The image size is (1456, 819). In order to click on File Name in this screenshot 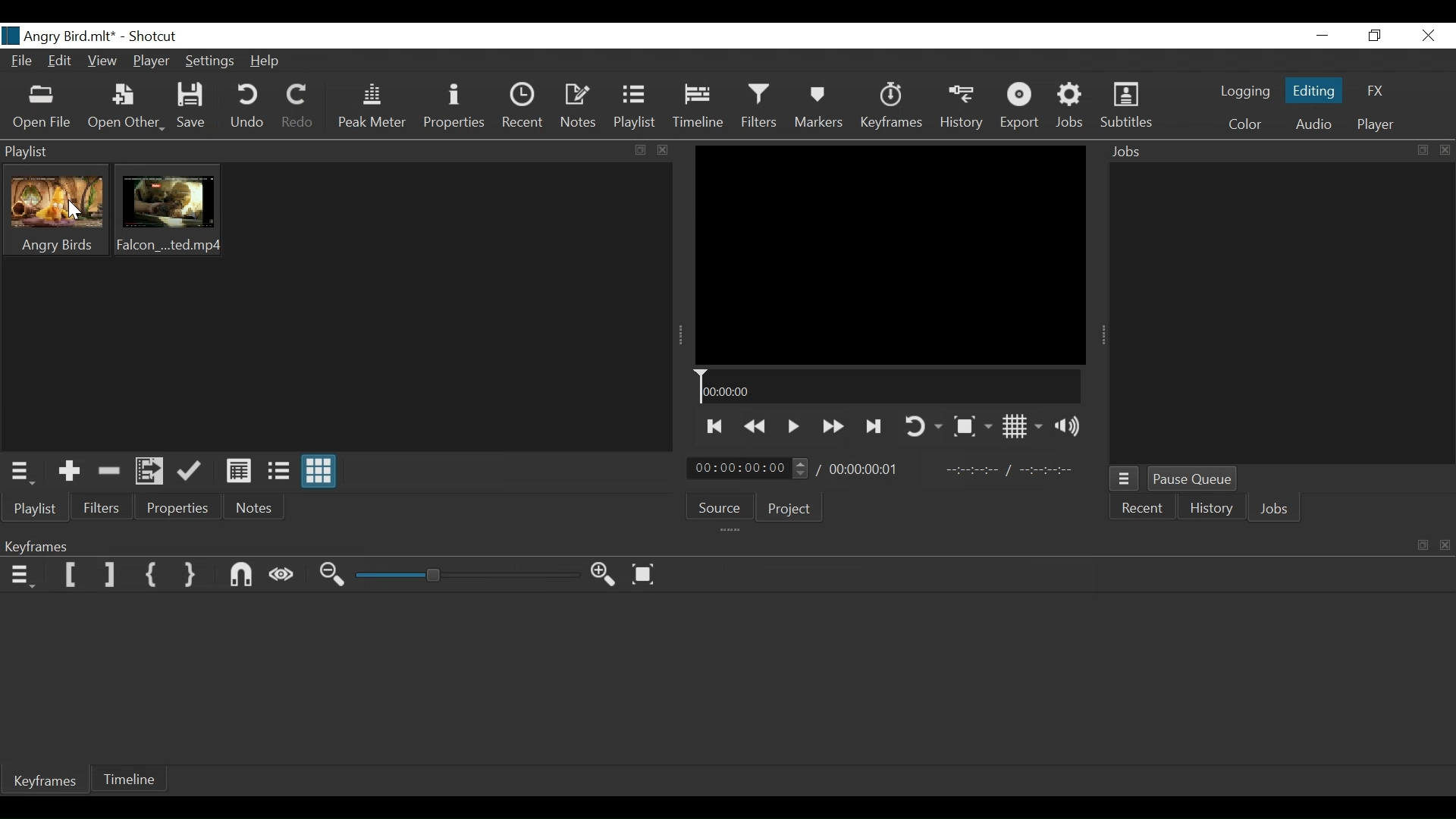, I will do `click(59, 36)`.